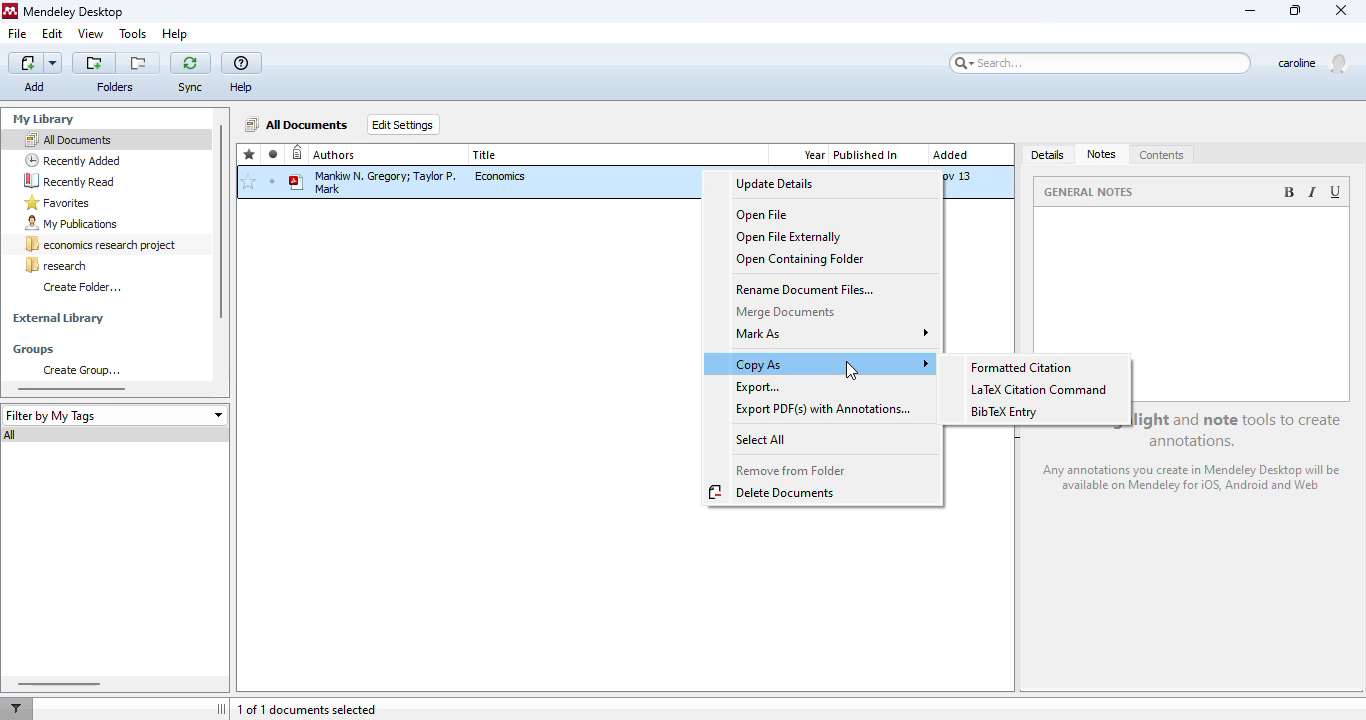 This screenshot has width=1366, height=720. Describe the element at coordinates (191, 88) in the screenshot. I see `Sync` at that location.